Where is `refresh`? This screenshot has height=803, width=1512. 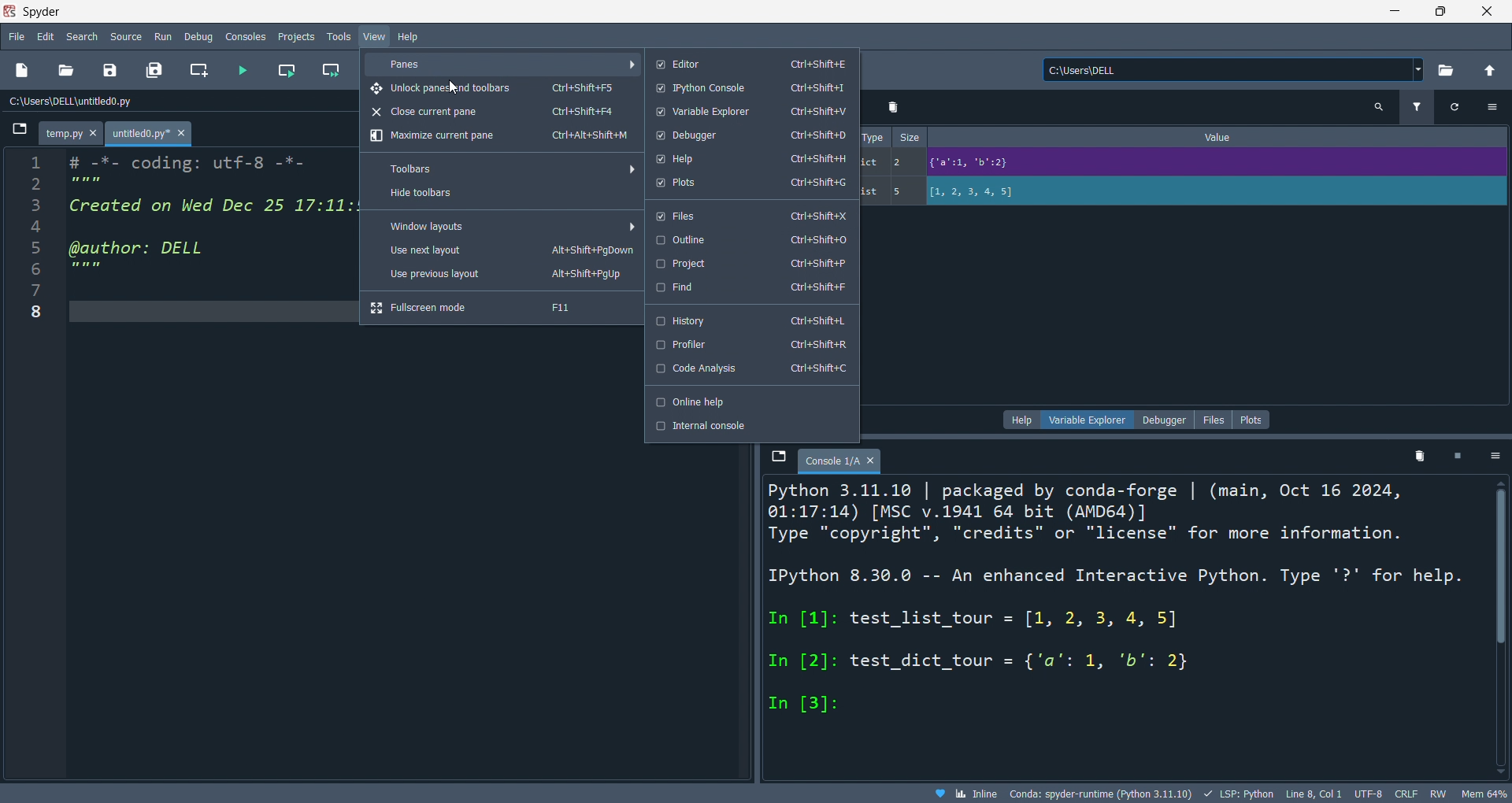 refresh is located at coordinates (1451, 107).